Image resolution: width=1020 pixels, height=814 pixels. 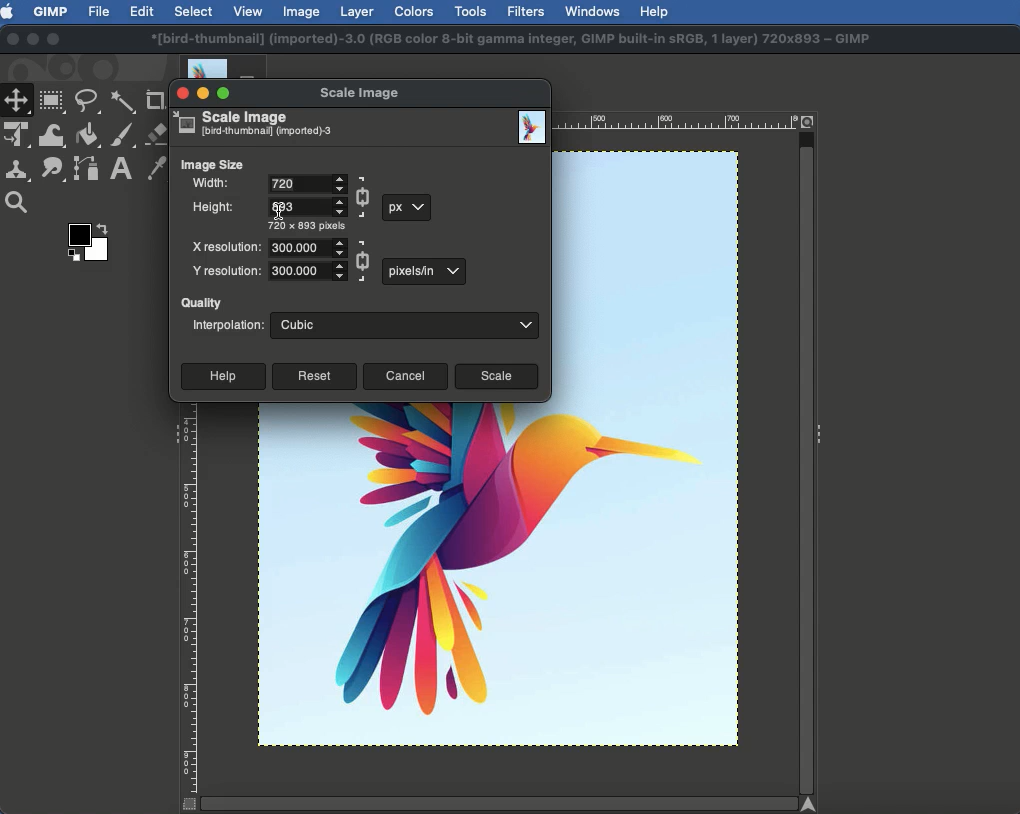 What do you see at coordinates (306, 184) in the screenshot?
I see `` at bounding box center [306, 184].